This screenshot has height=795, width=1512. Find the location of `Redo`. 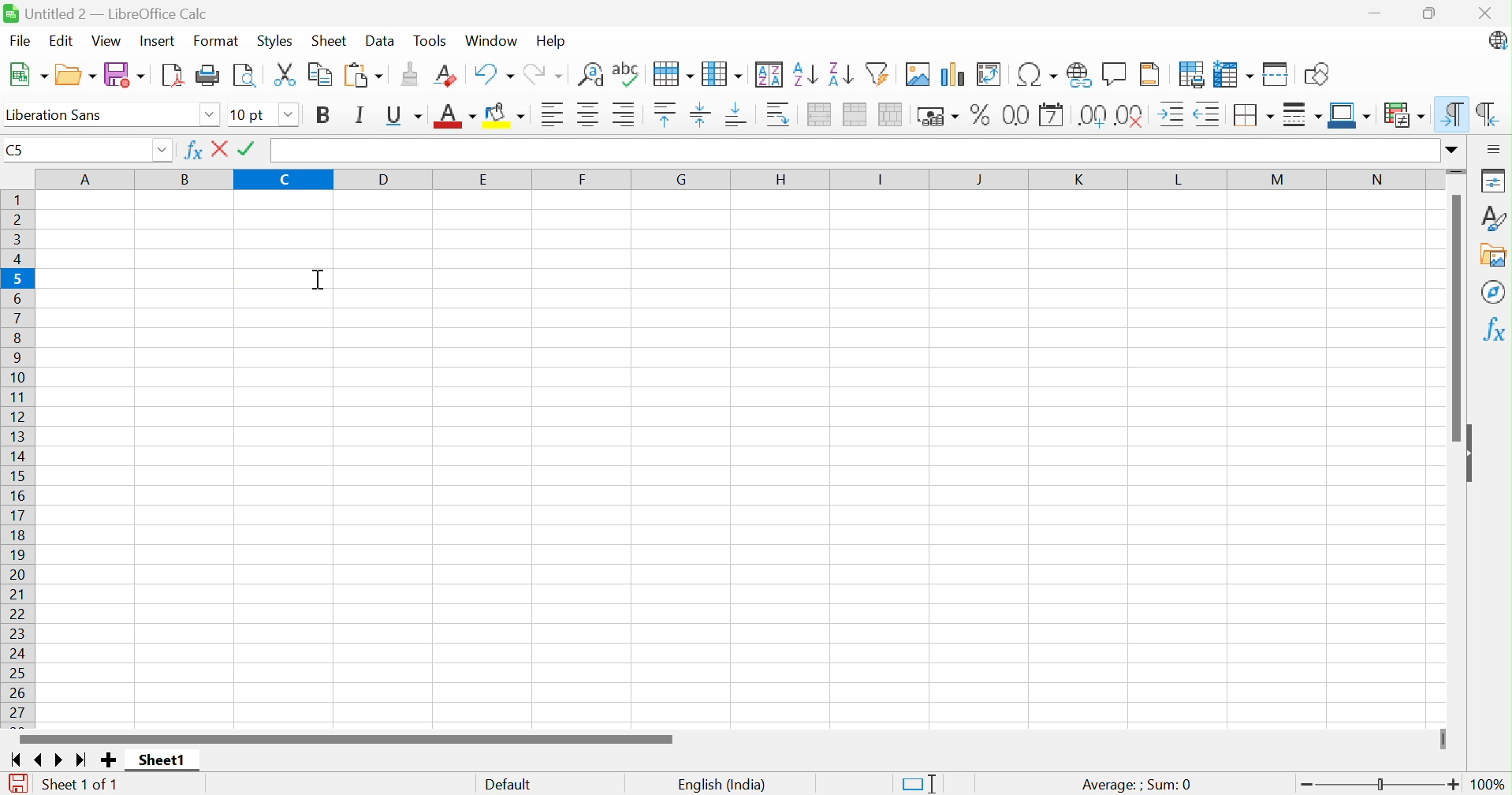

Redo is located at coordinates (542, 76).